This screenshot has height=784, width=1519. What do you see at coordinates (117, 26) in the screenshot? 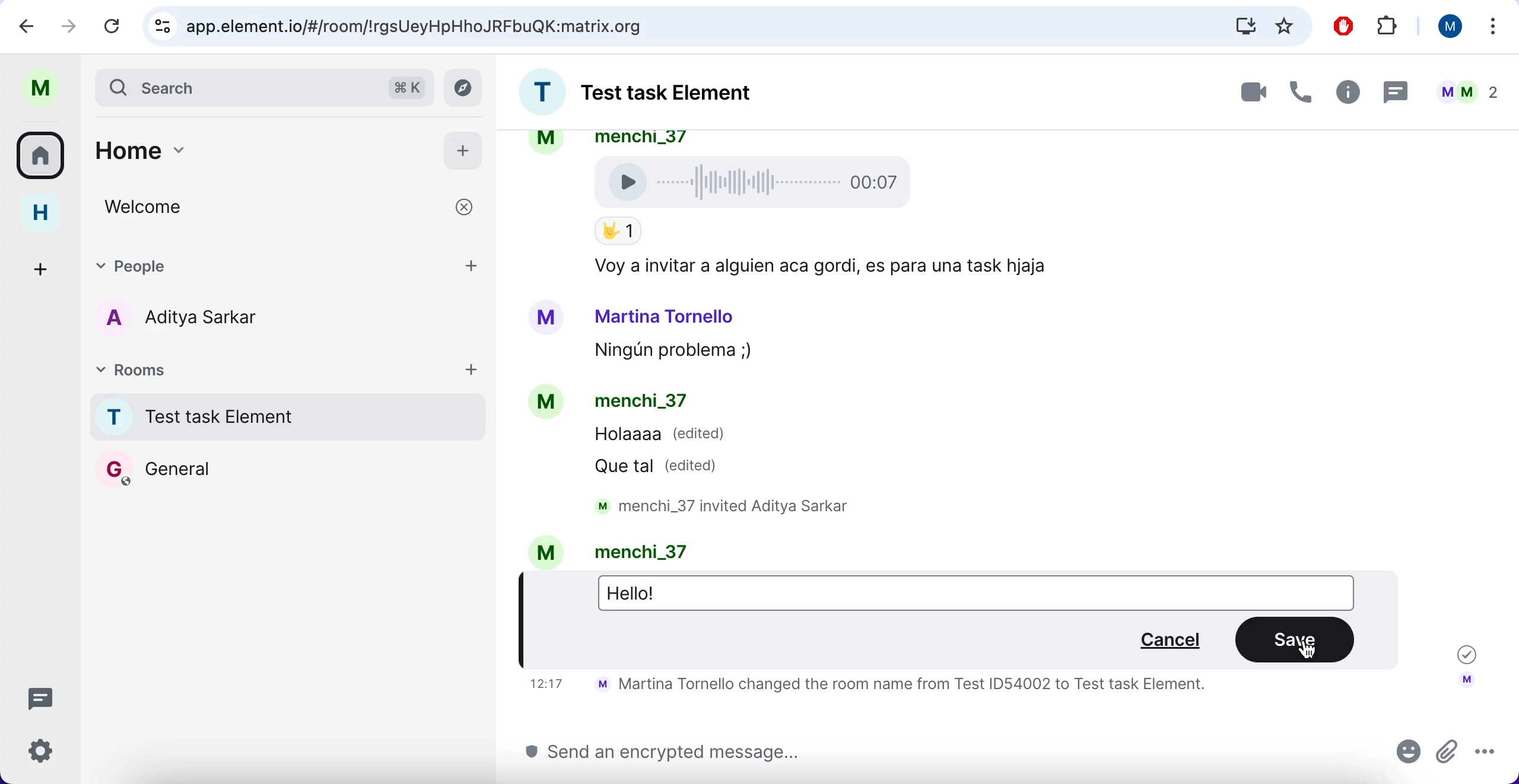
I see `reload current page` at bounding box center [117, 26].